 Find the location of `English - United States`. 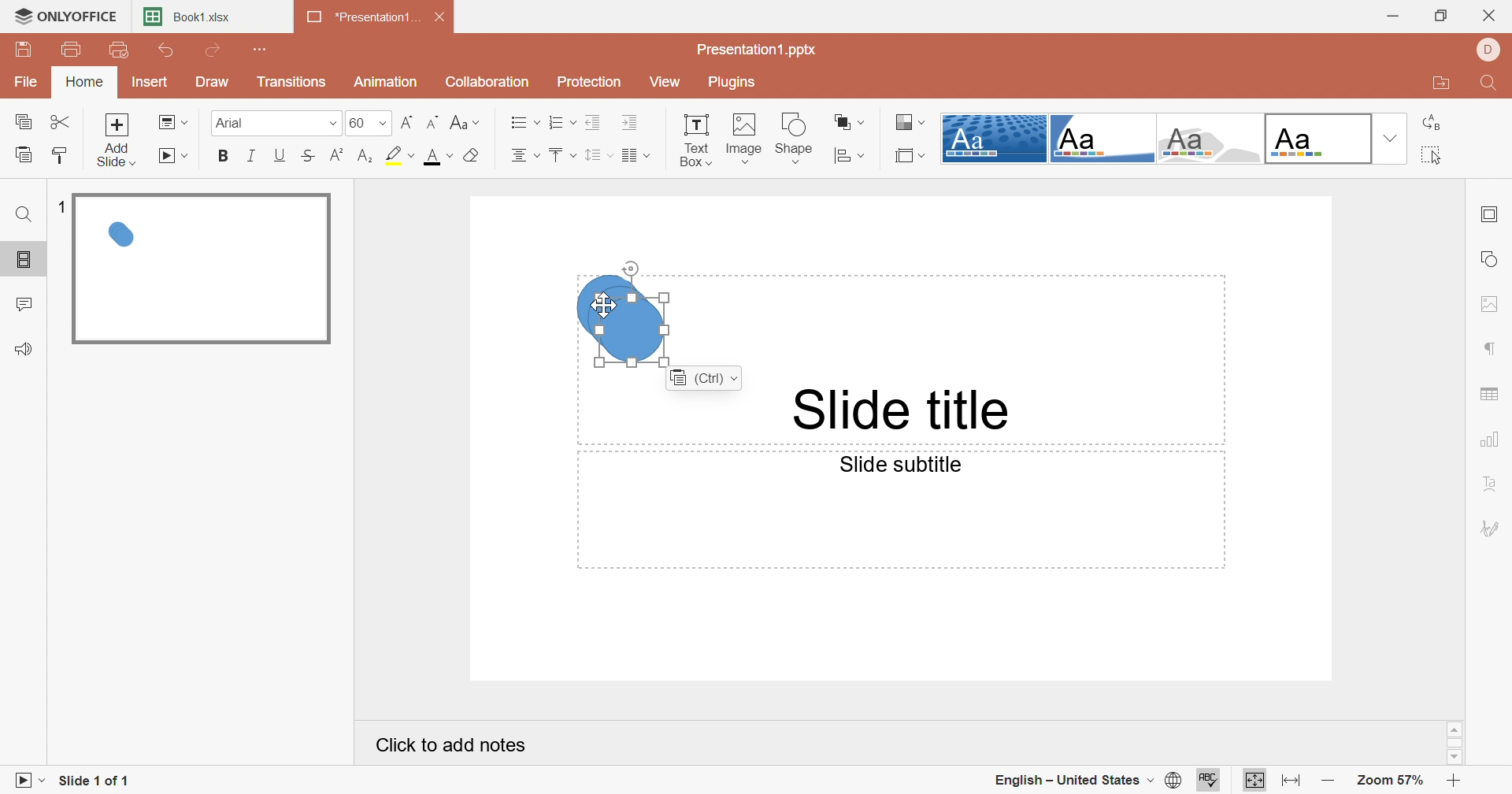

English - United States is located at coordinates (1073, 781).